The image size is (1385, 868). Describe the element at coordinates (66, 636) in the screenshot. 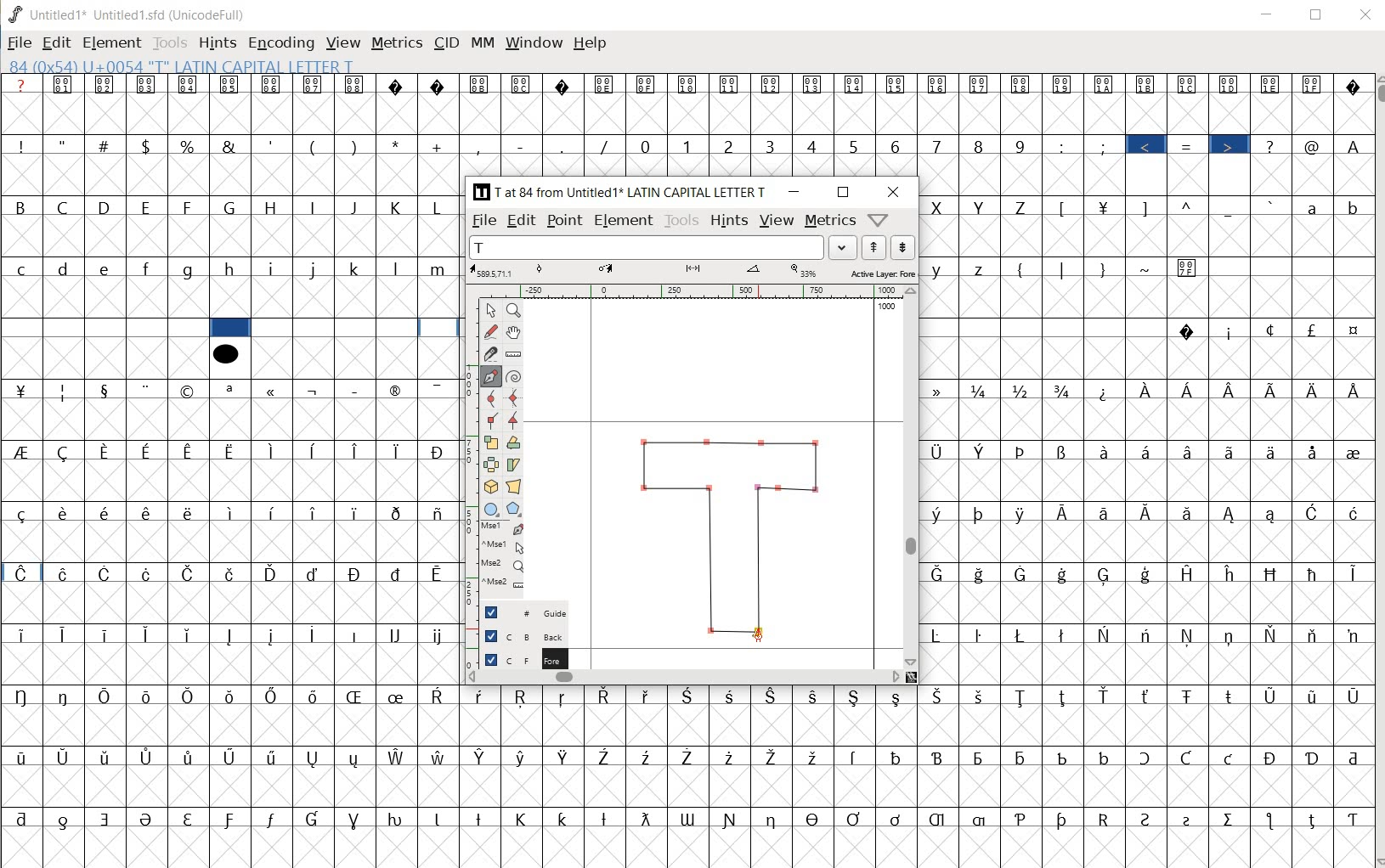

I see `Symbol` at that location.